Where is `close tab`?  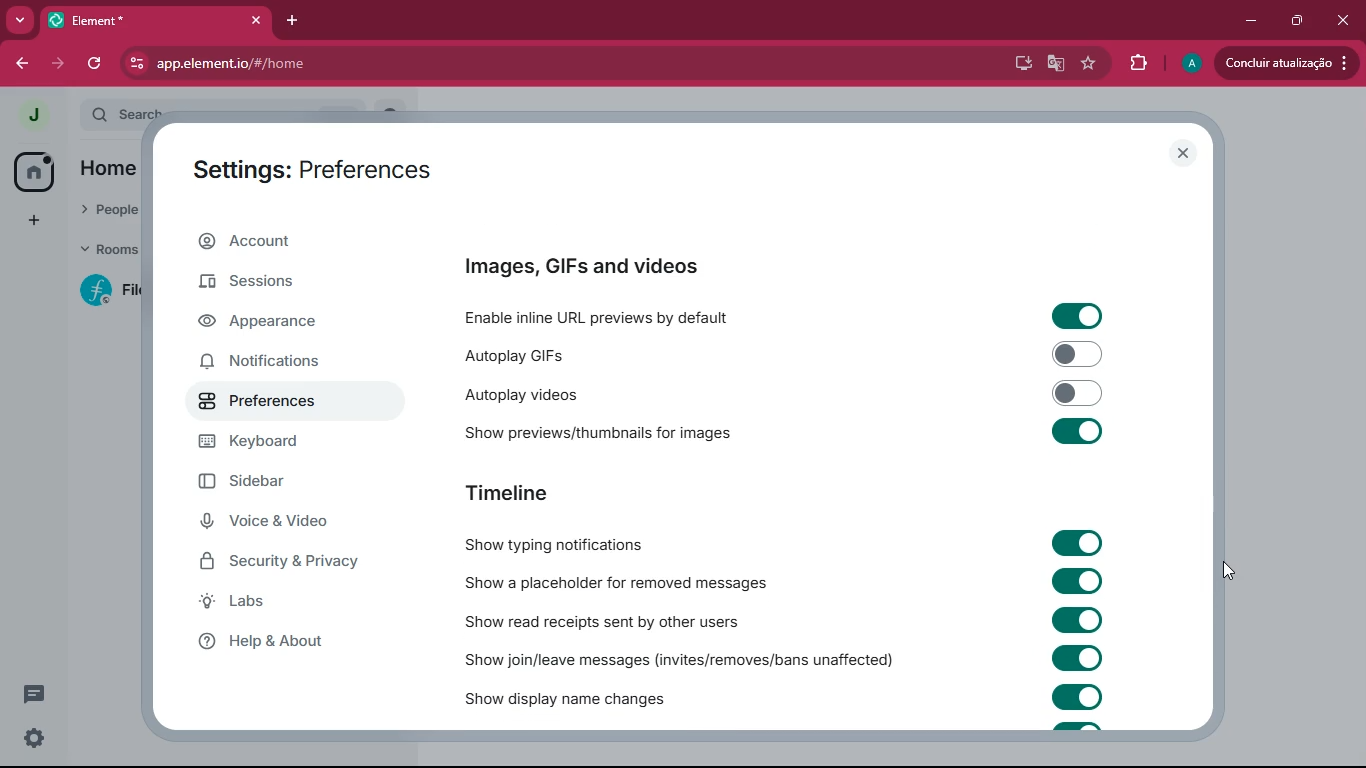 close tab is located at coordinates (257, 21).